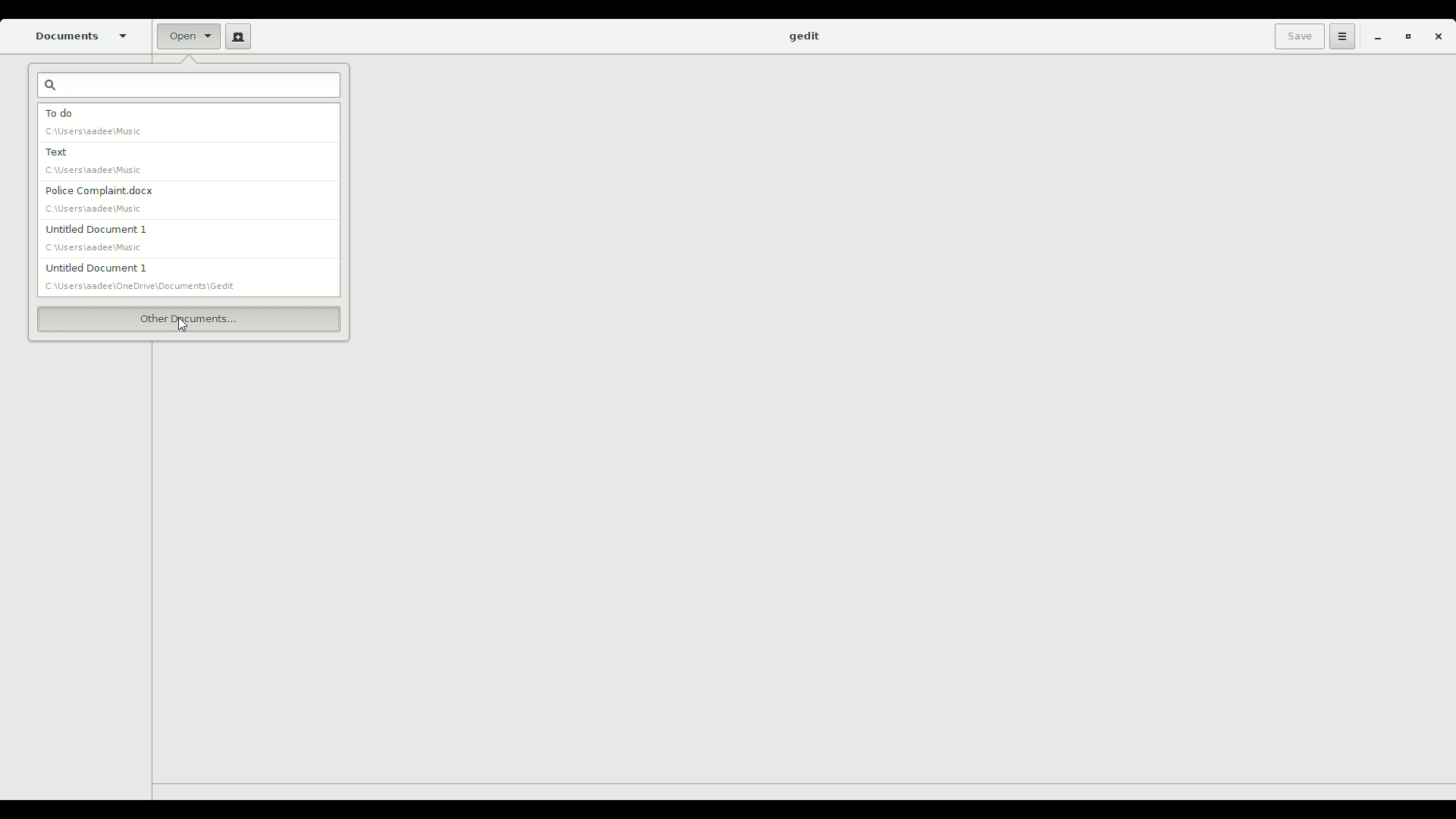 Image resolution: width=1456 pixels, height=819 pixels. What do you see at coordinates (235, 36) in the screenshot?
I see `New` at bounding box center [235, 36].